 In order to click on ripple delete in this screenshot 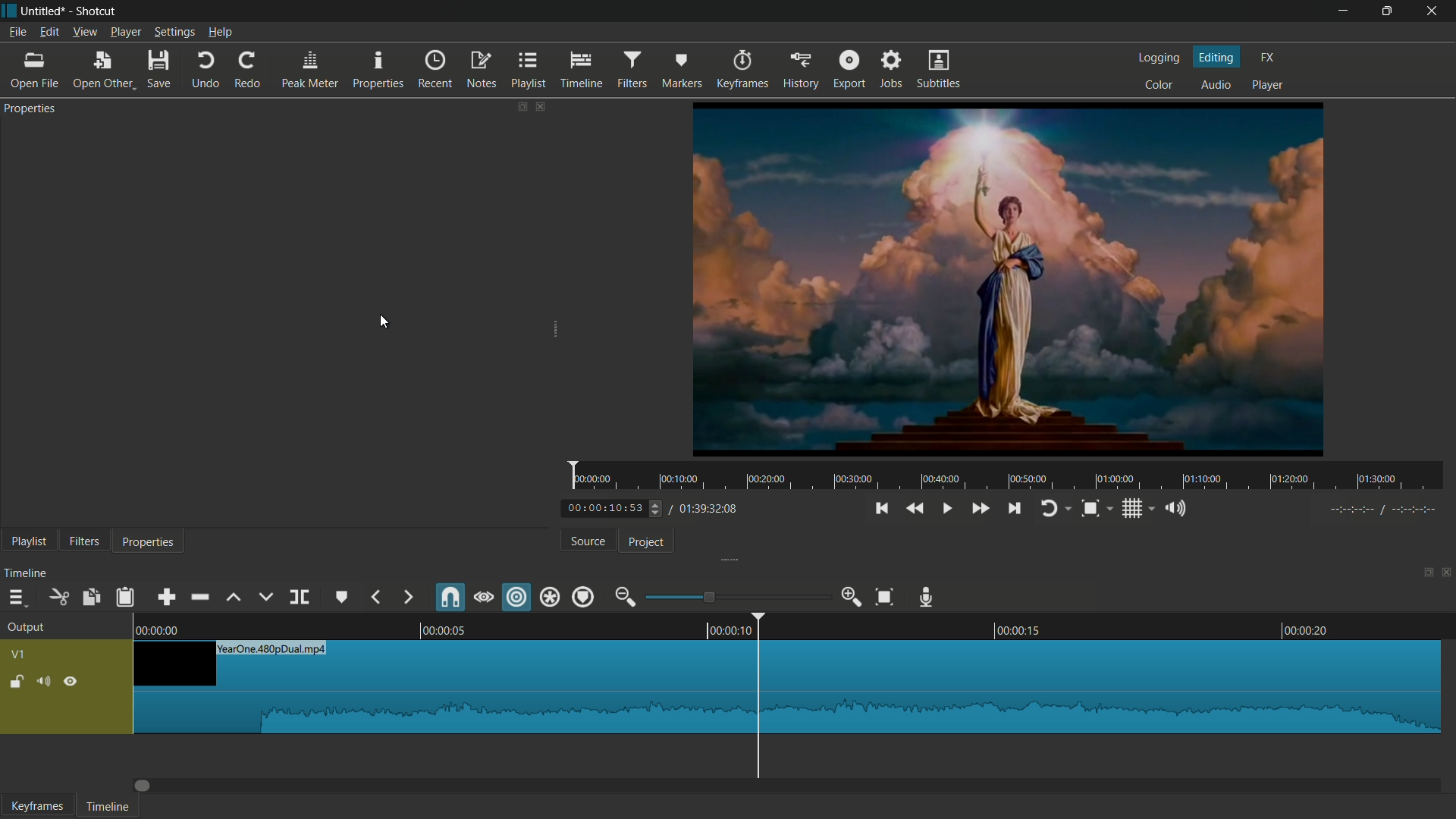, I will do `click(202, 595)`.